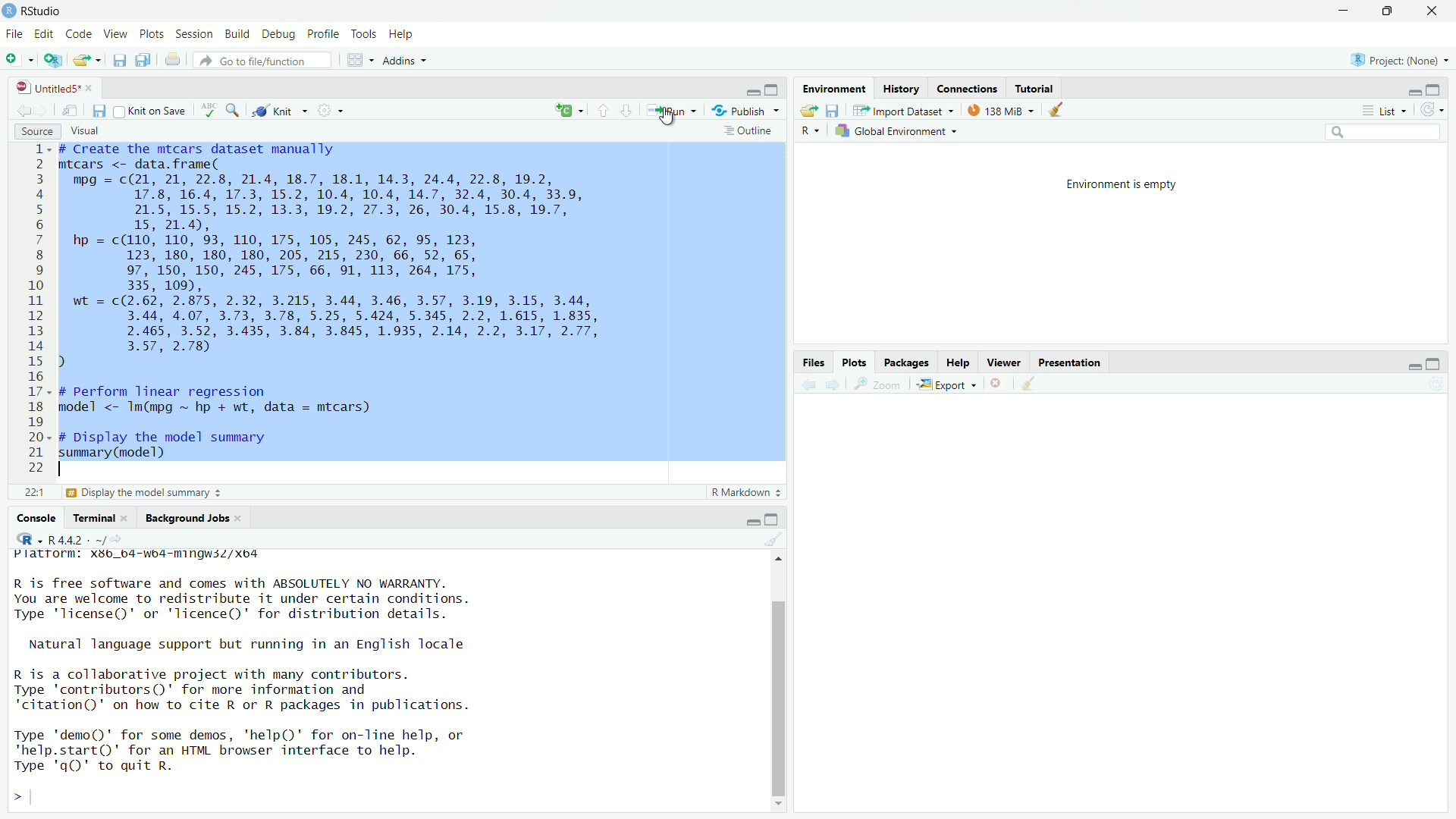 The width and height of the screenshot is (1456, 819). Describe the element at coordinates (329, 303) in the screenshot. I see `# Create the mtcars dataset manually
mtcars <- data. frame(
mpg = c(21, 21, 22.8, 21.4, 18.7, 18.1, 14.3, 24.4, 22.8, 19.2,
17.8, 16.4, 17.3, 15.2, 10.4, 10.4, 14.7, 32.4, 30.4, 33.9,
21.5, 15.5, 15.2, 13.3, 19.2, 27.3, 26, 30.4, 15.8, 19.7,
15, 21.4),
hp = c(110, 110, 93, 110, 175, 105, 245, 62, 95, 123,
123, 180, 180, 180, 205, 215, 230, 66, 52, 65,
97, 150, 150, 245, 175, 66, 91, 113, 264, 175,
335, 109),
wt = c(2.62, 2.875, 2.32, 3.215, 3.44, 3.46, 3.57, 3.19, 3.15, 3.44,
3.44, 4.07, 3.73, 3.78, 5.25, 5.424, 5.345, 2.2, 1.615, 1.835,
2.465, 3.52, 3.435, 3.84, 3.845, 1.935, 2.14, 2.2, 3.17, 2.77,
3.57, 2.78)
) I
# perform linear regression
model <- Im(mpg ~ hp + wt, data = mtcars)
# Display the model summary
summary (model)` at that location.